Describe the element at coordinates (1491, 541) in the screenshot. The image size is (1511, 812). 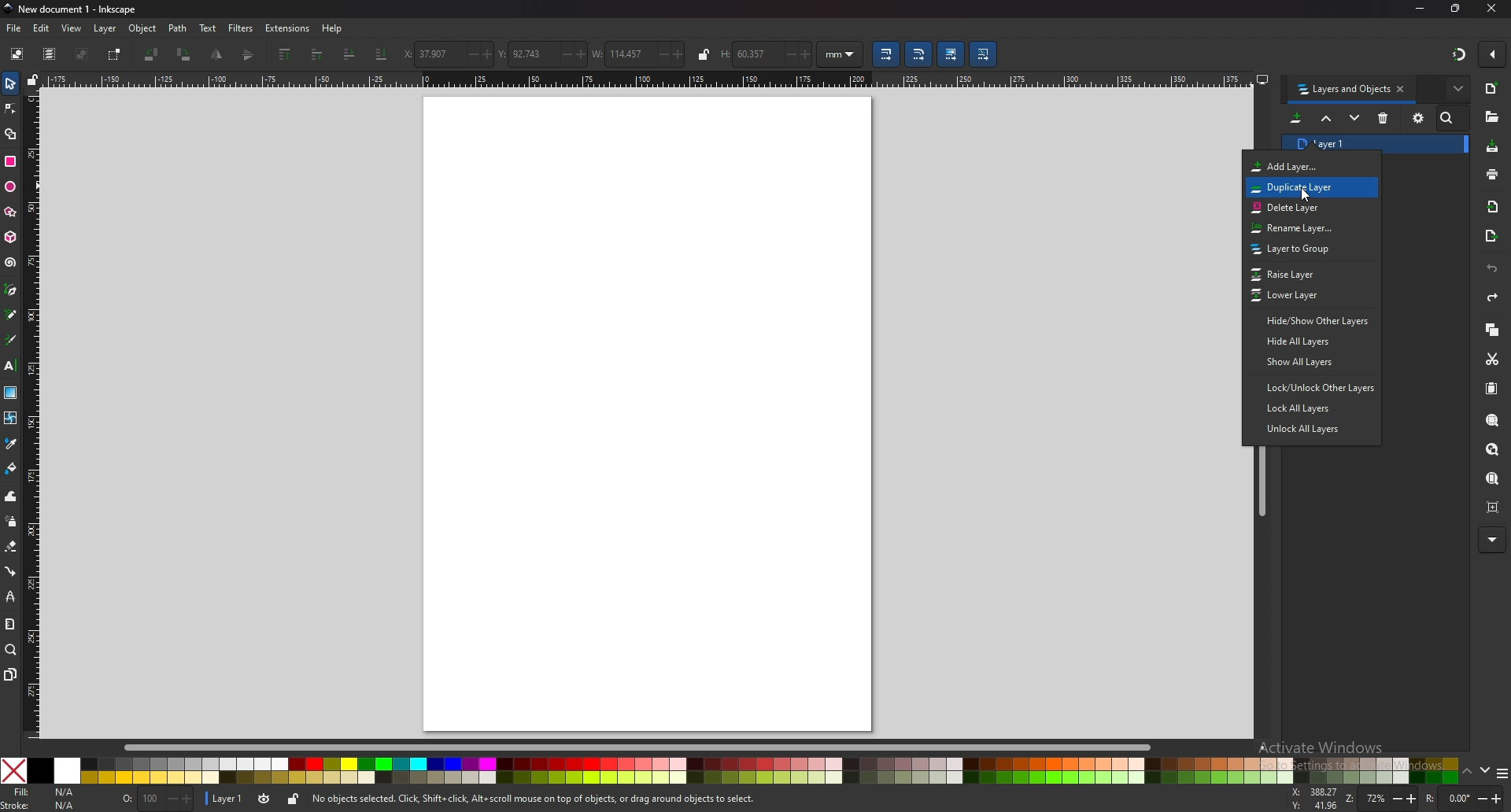
I see `more` at that location.